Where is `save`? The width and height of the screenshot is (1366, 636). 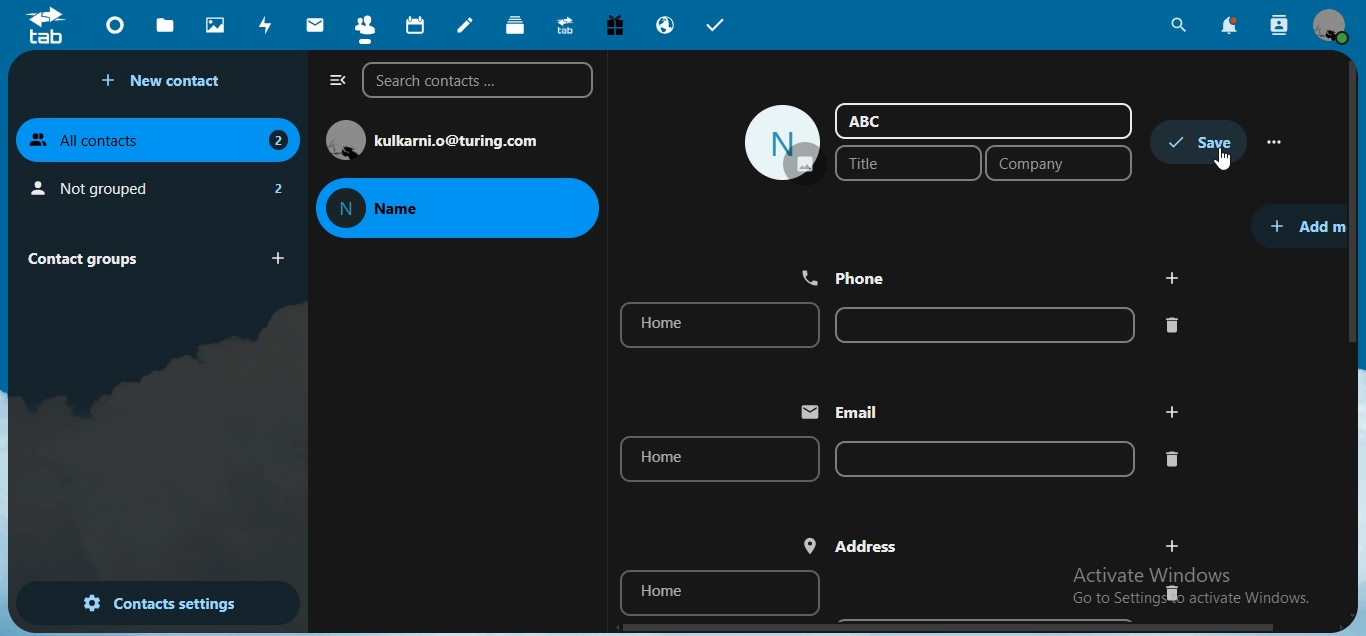 save is located at coordinates (1202, 142).